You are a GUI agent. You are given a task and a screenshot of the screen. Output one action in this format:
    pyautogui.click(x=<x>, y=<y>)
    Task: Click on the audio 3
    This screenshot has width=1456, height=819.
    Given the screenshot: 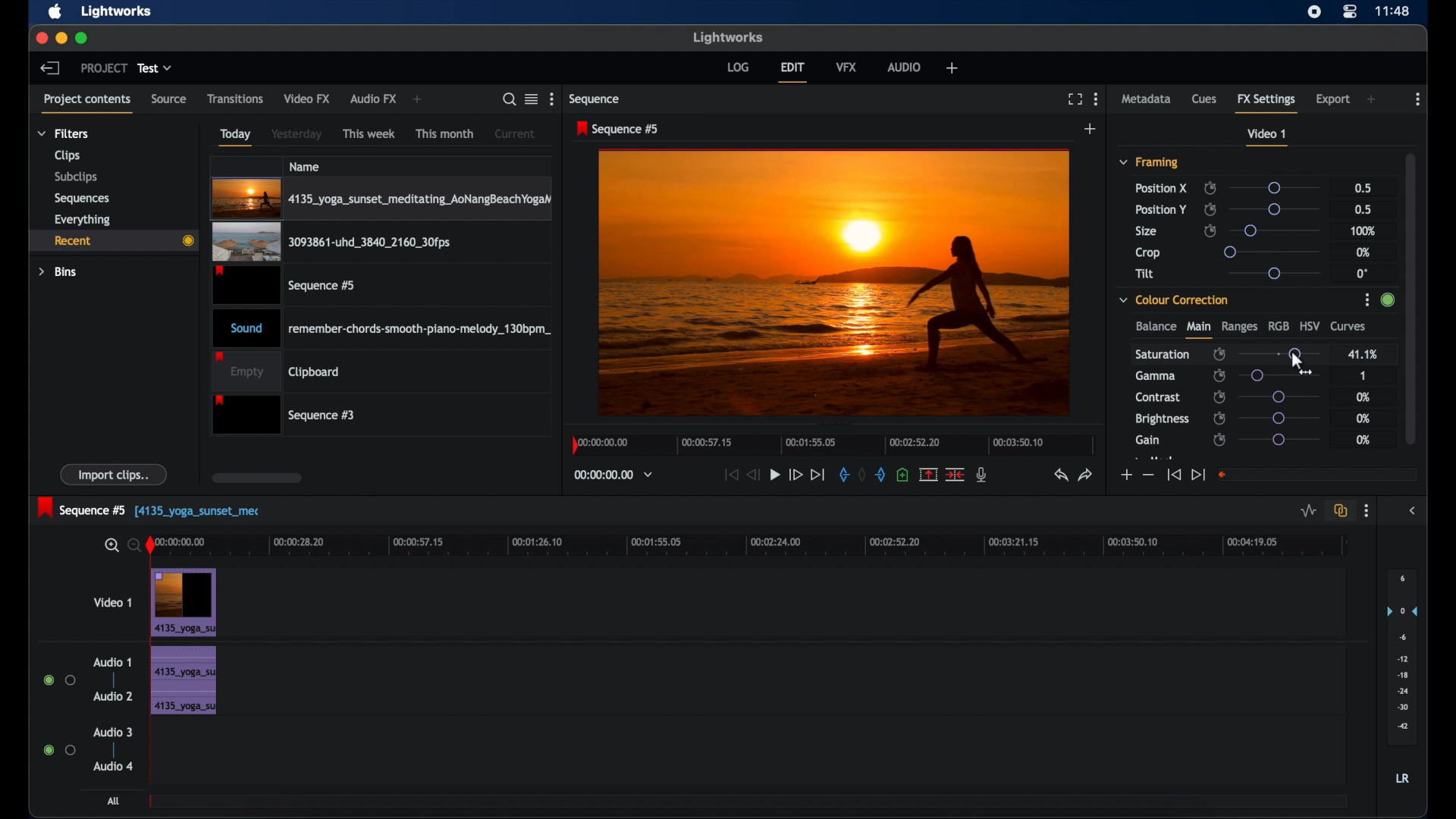 What is the action you would take?
    pyautogui.click(x=112, y=732)
    